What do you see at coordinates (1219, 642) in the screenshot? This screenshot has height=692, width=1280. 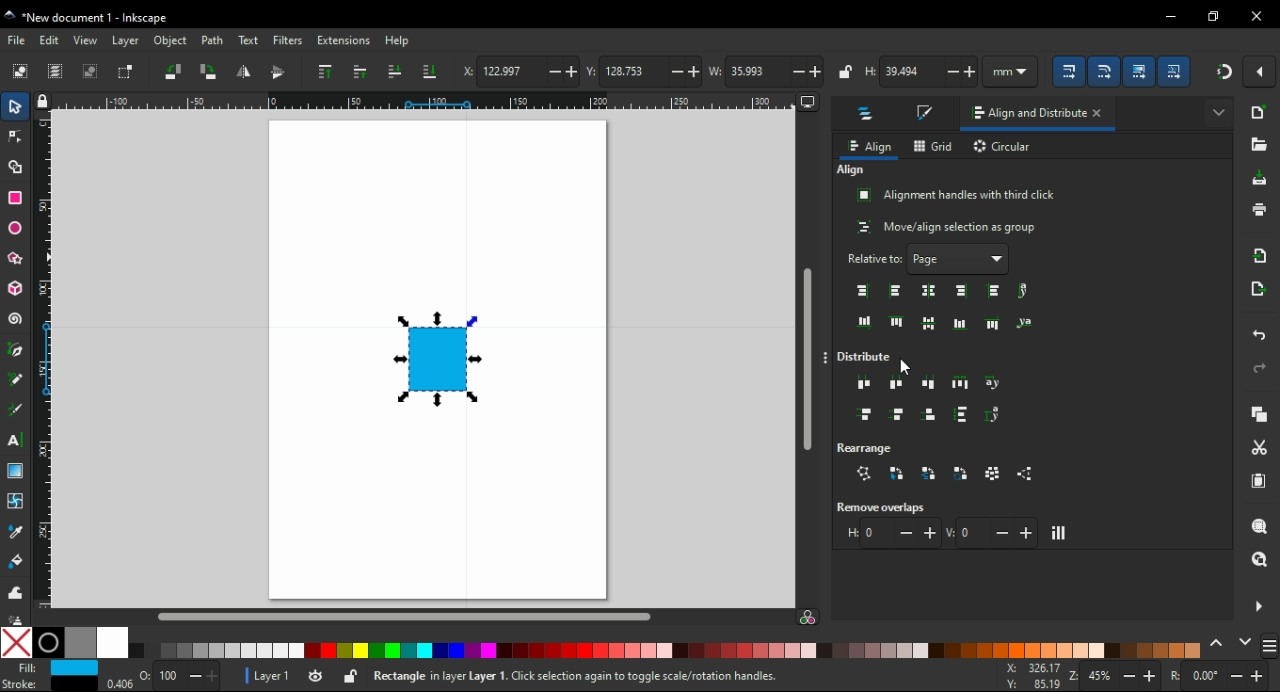 I see `previous` at bounding box center [1219, 642].